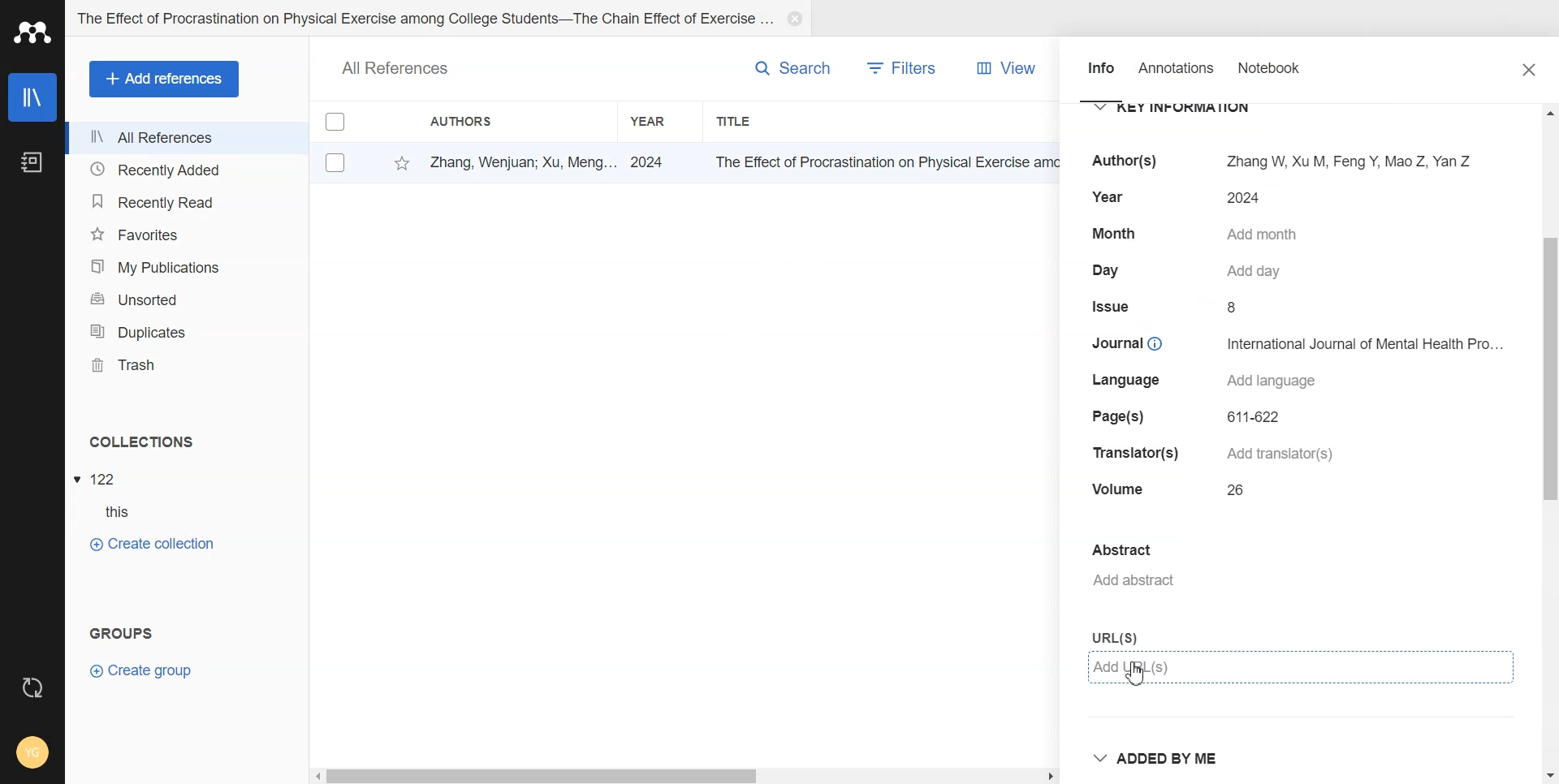  What do you see at coordinates (1168, 756) in the screenshot?
I see `Added by me` at bounding box center [1168, 756].